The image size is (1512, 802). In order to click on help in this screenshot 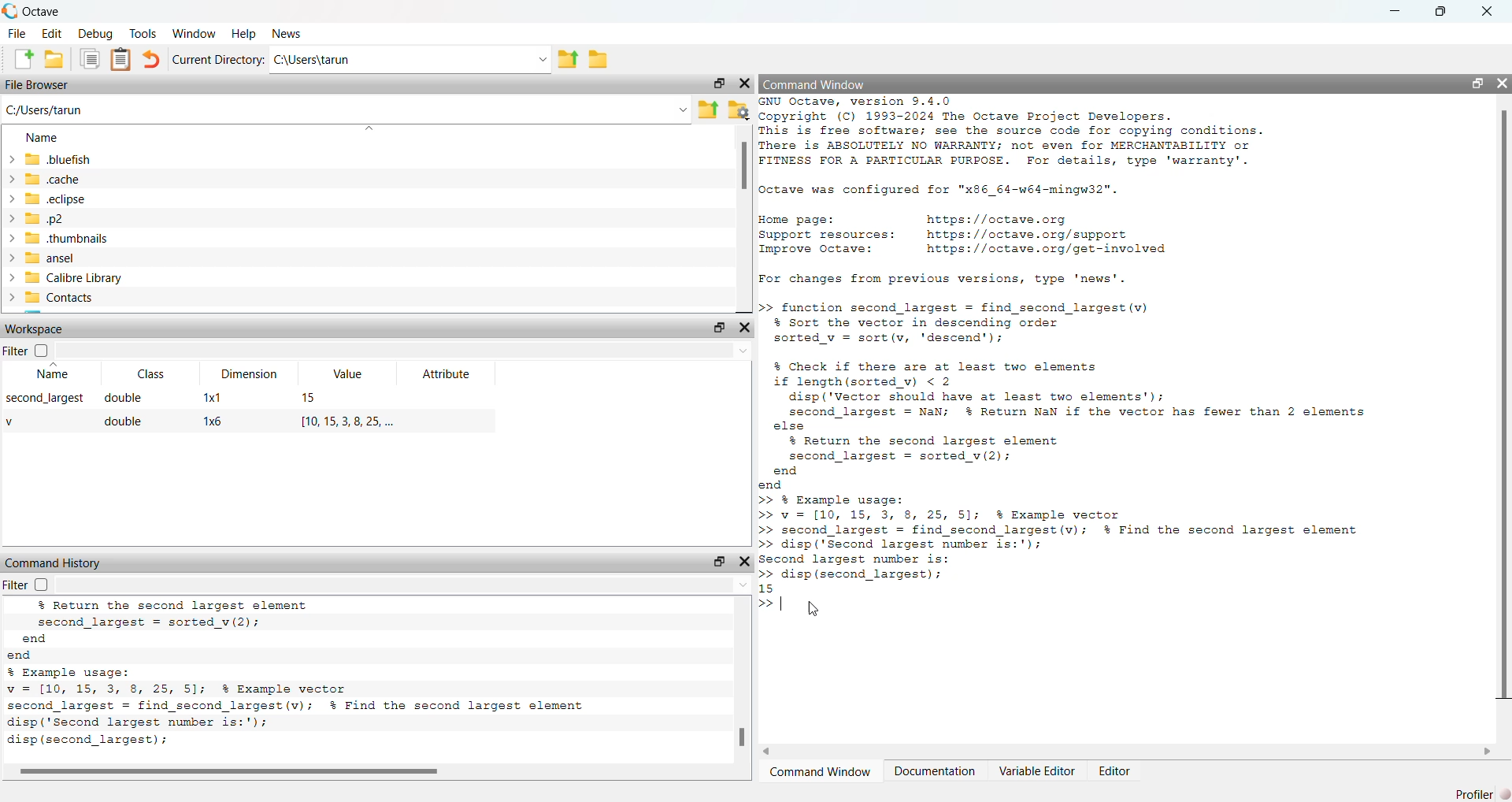, I will do `click(242, 33)`.